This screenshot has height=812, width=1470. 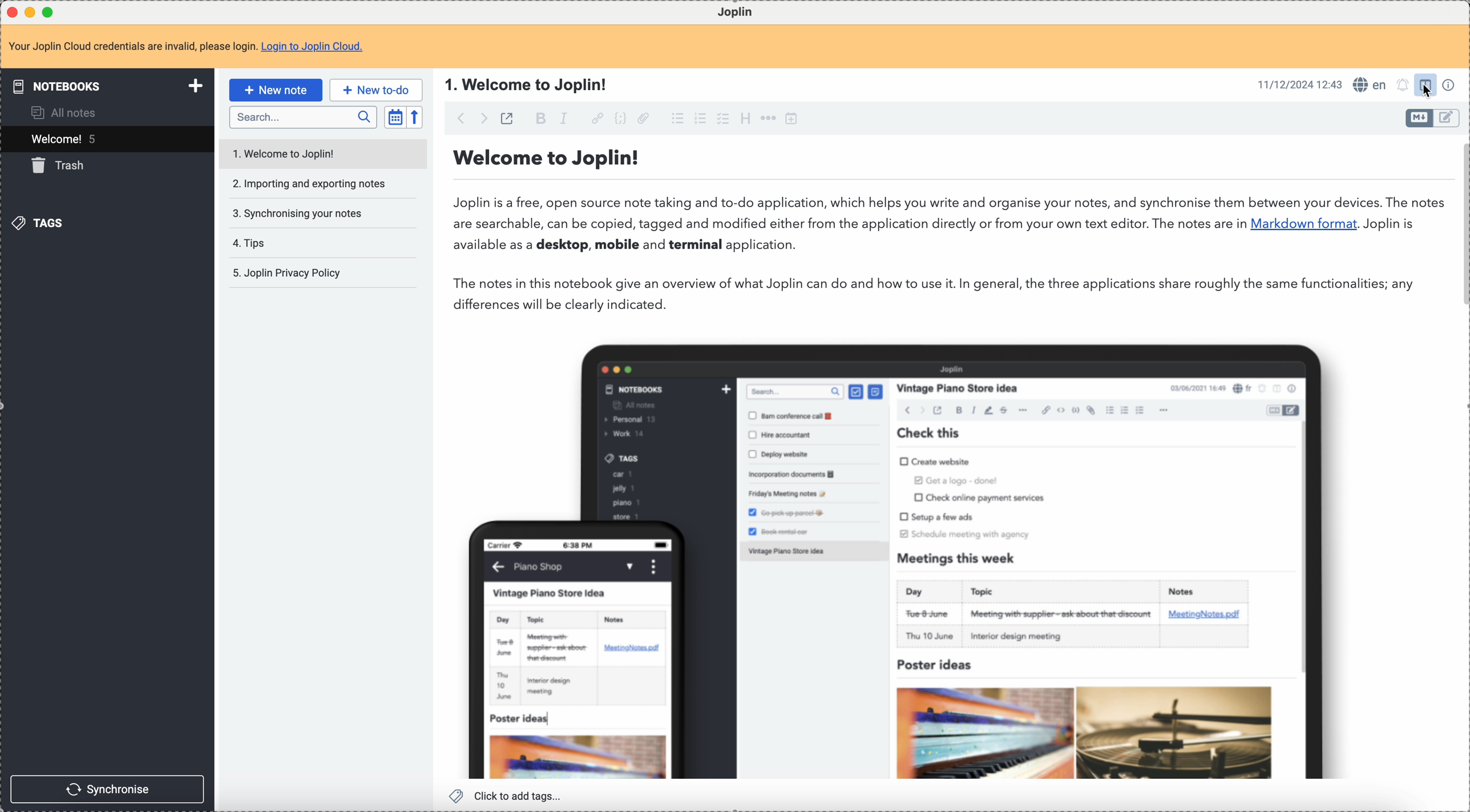 I want to click on checkbox, so click(x=725, y=118).